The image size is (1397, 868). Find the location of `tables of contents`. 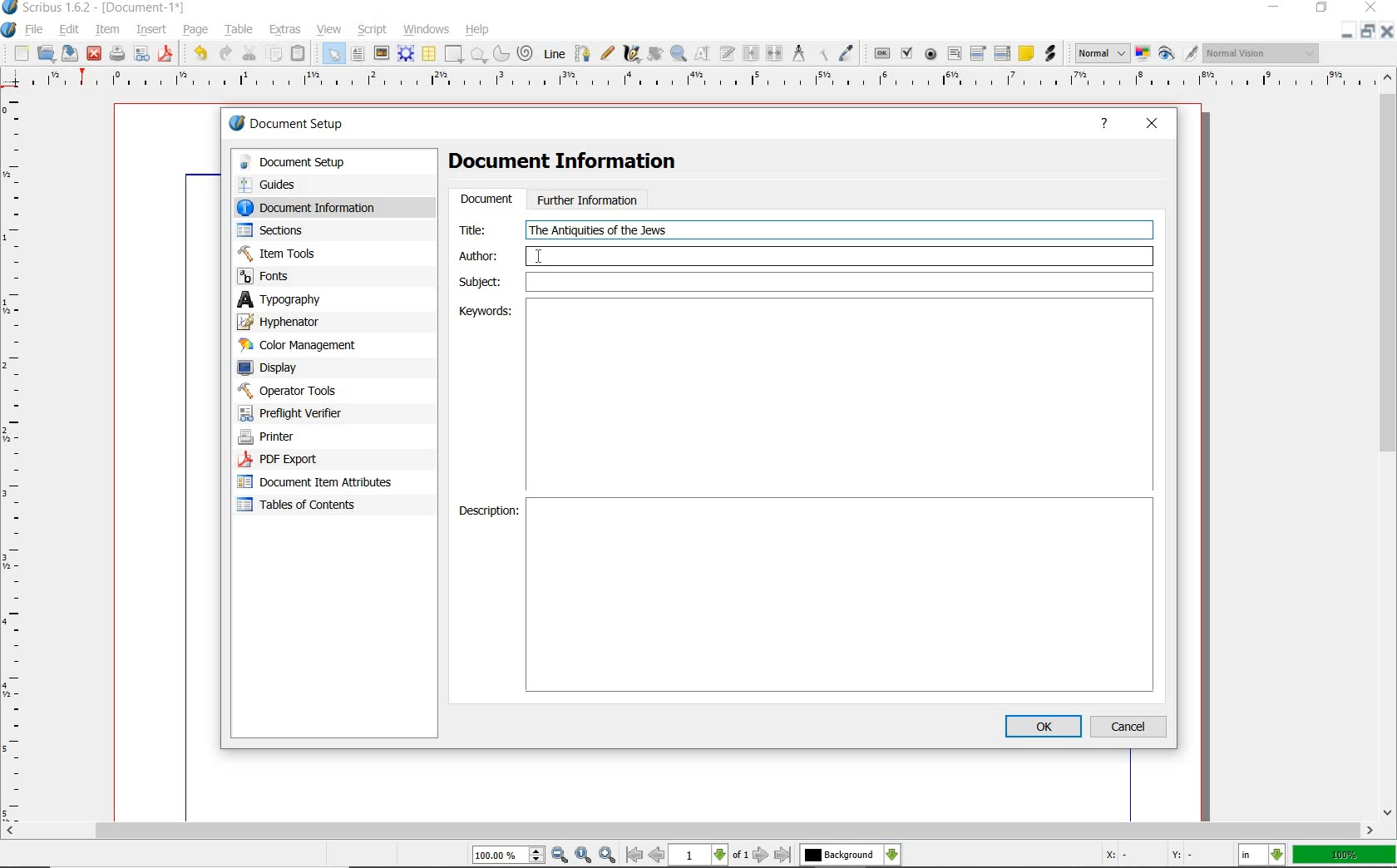

tables of contents is located at coordinates (308, 506).